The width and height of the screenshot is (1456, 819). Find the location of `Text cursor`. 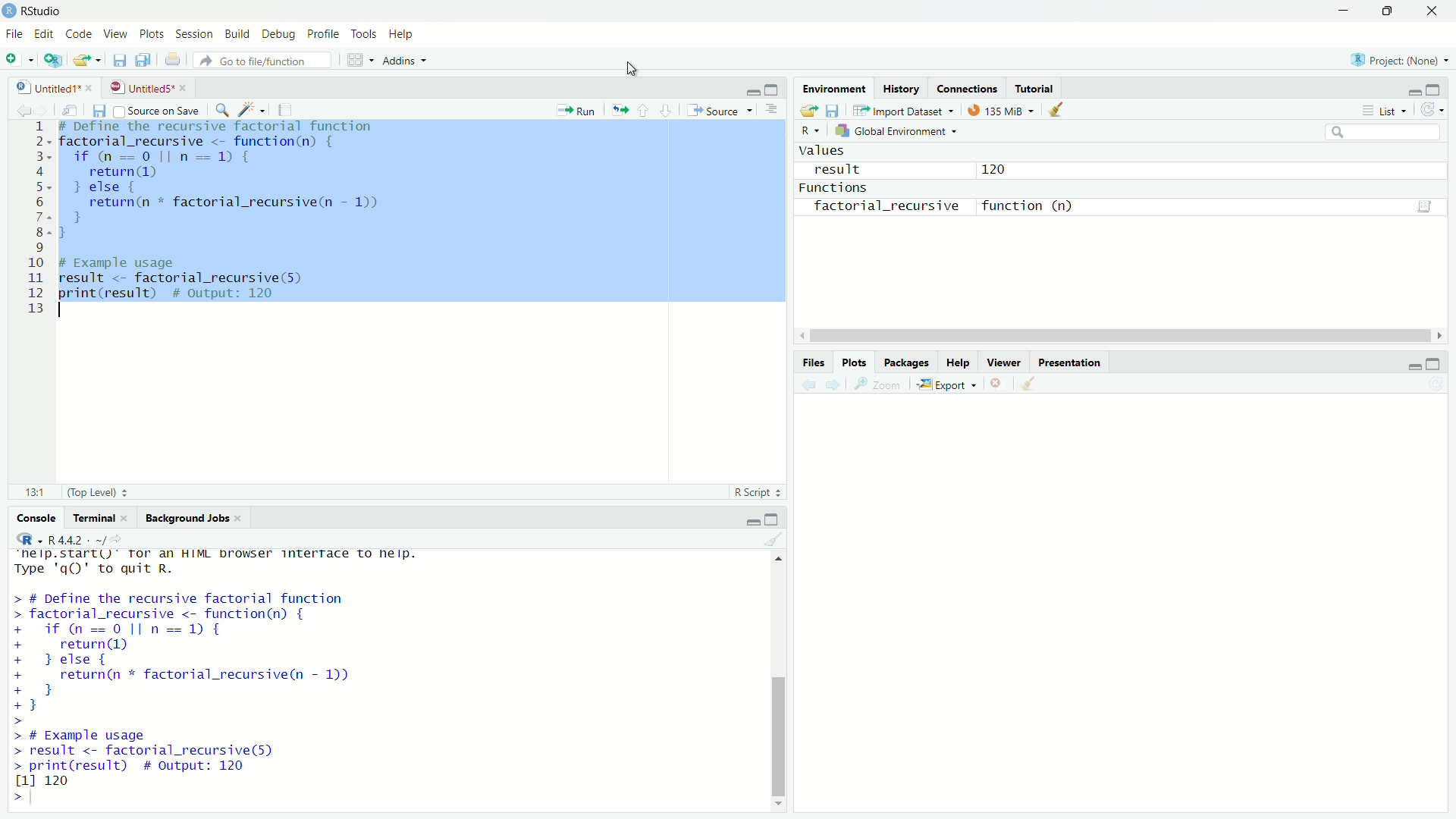

Text cursor is located at coordinates (631, 64).